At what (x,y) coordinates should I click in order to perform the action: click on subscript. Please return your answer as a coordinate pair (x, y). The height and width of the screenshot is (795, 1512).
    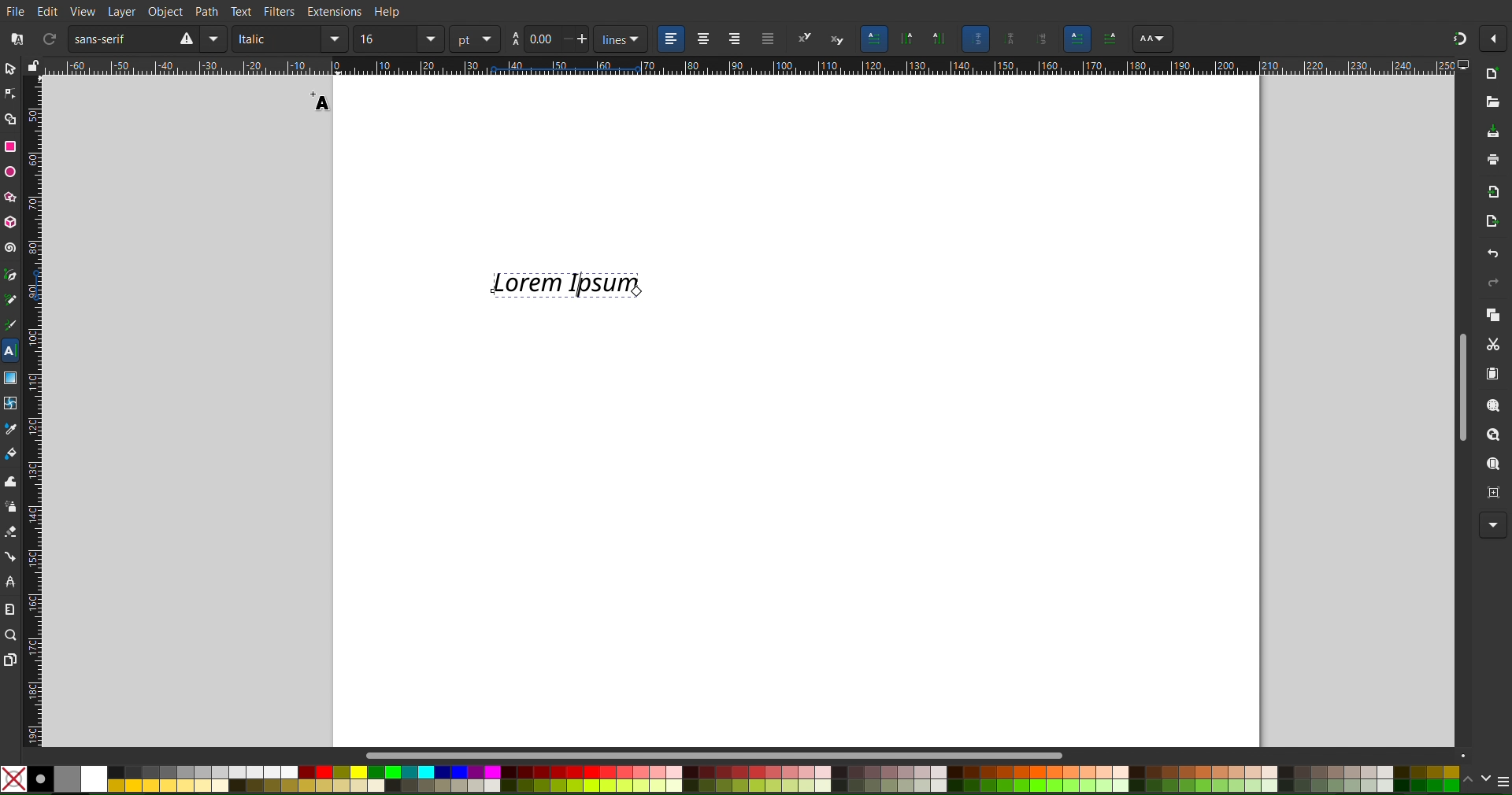
    Looking at the image, I should click on (834, 38).